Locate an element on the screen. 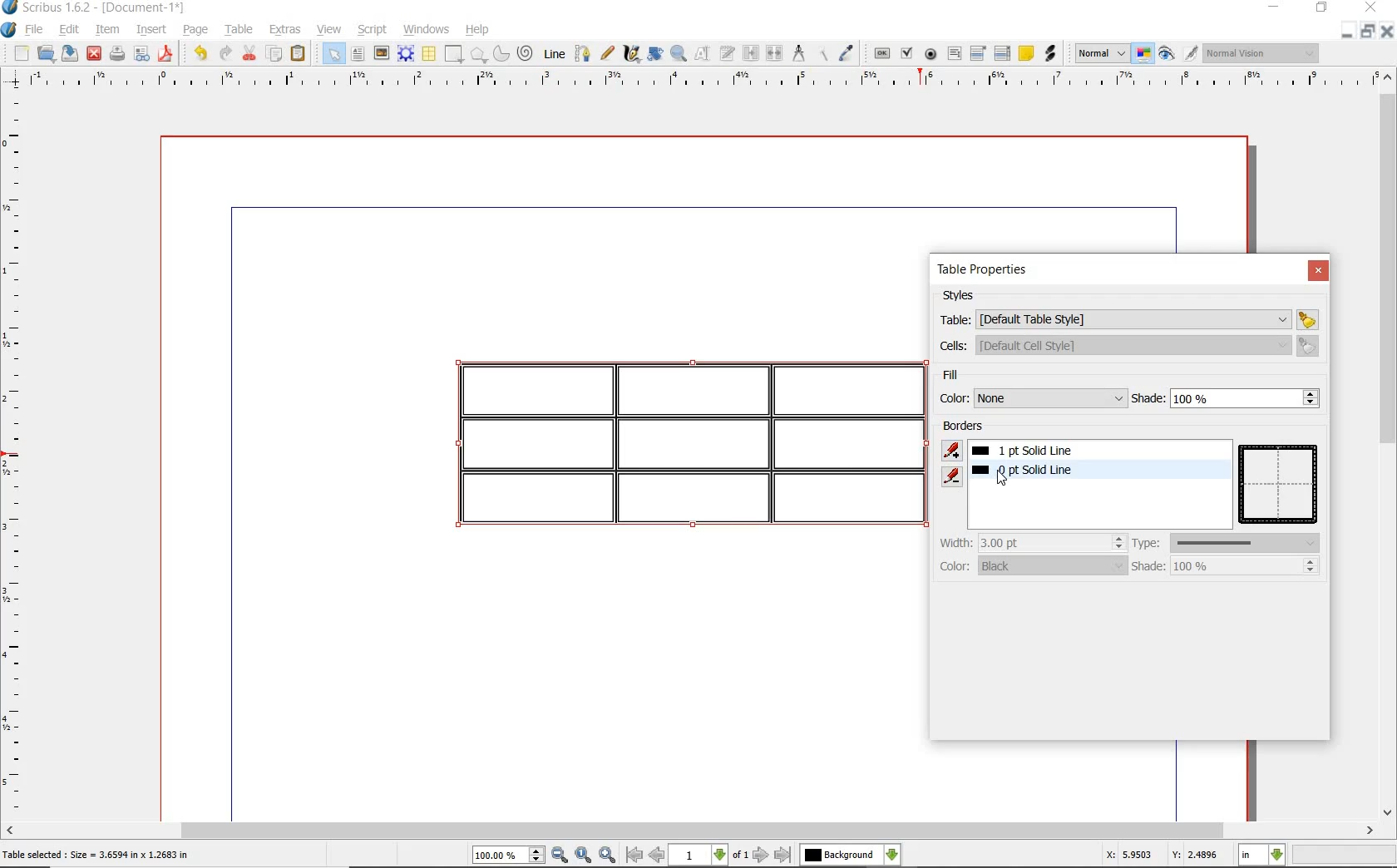 The width and height of the screenshot is (1397, 868). edit text with story editor is located at coordinates (727, 53).